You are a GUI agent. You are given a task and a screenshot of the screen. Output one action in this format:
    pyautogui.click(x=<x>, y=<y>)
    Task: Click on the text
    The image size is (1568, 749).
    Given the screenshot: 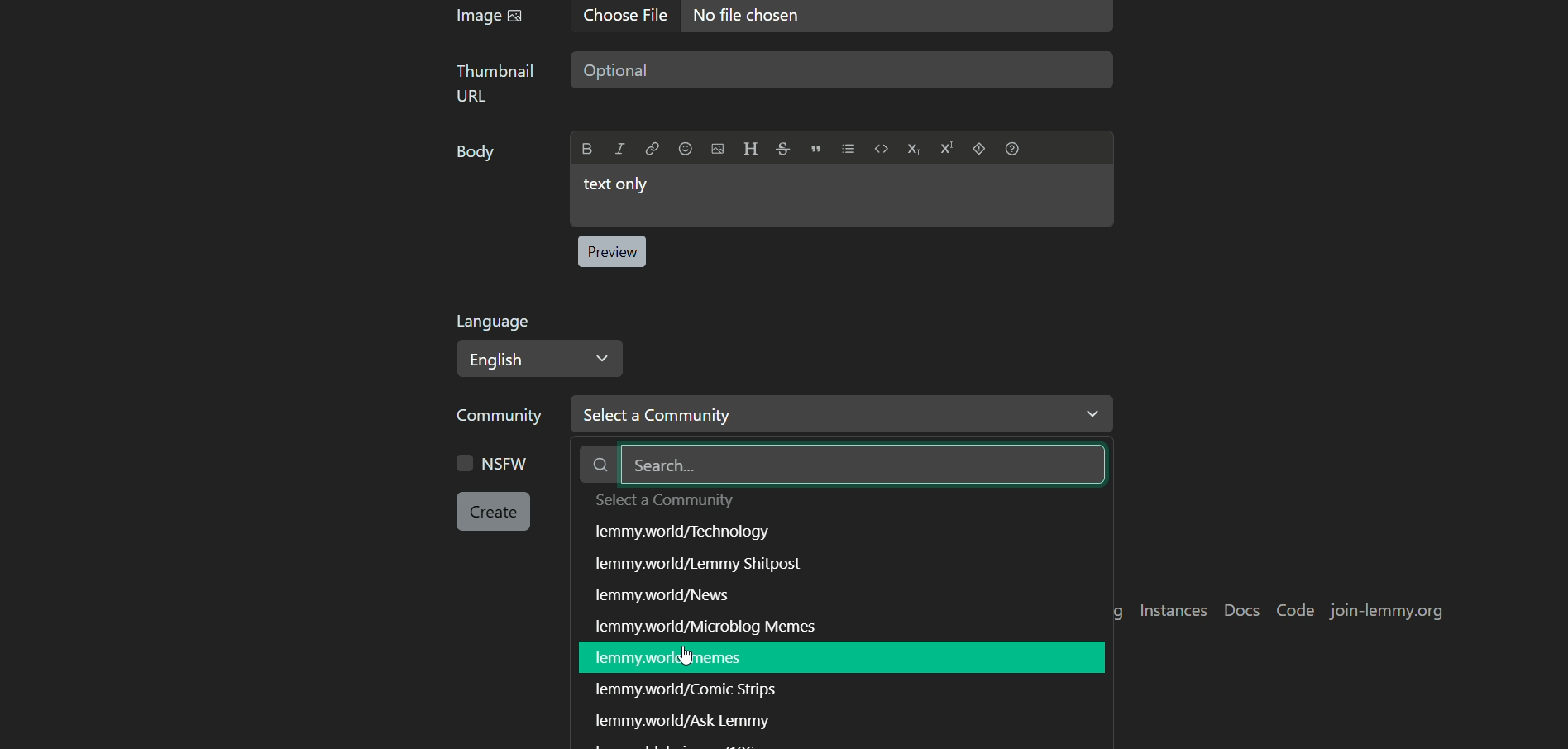 What is the action you would take?
    pyautogui.click(x=685, y=535)
    